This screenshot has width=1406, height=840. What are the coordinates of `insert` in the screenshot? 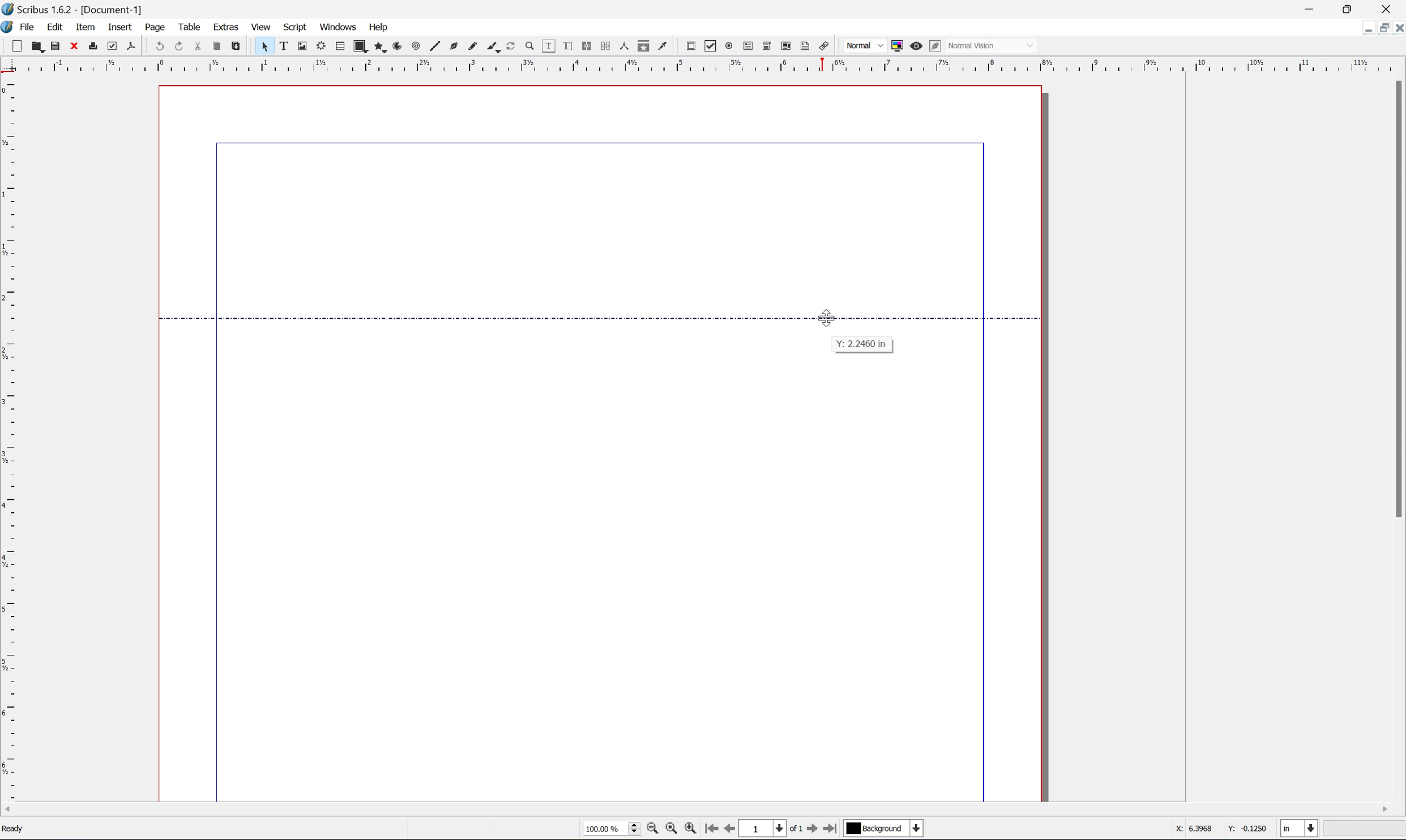 It's located at (113, 25).